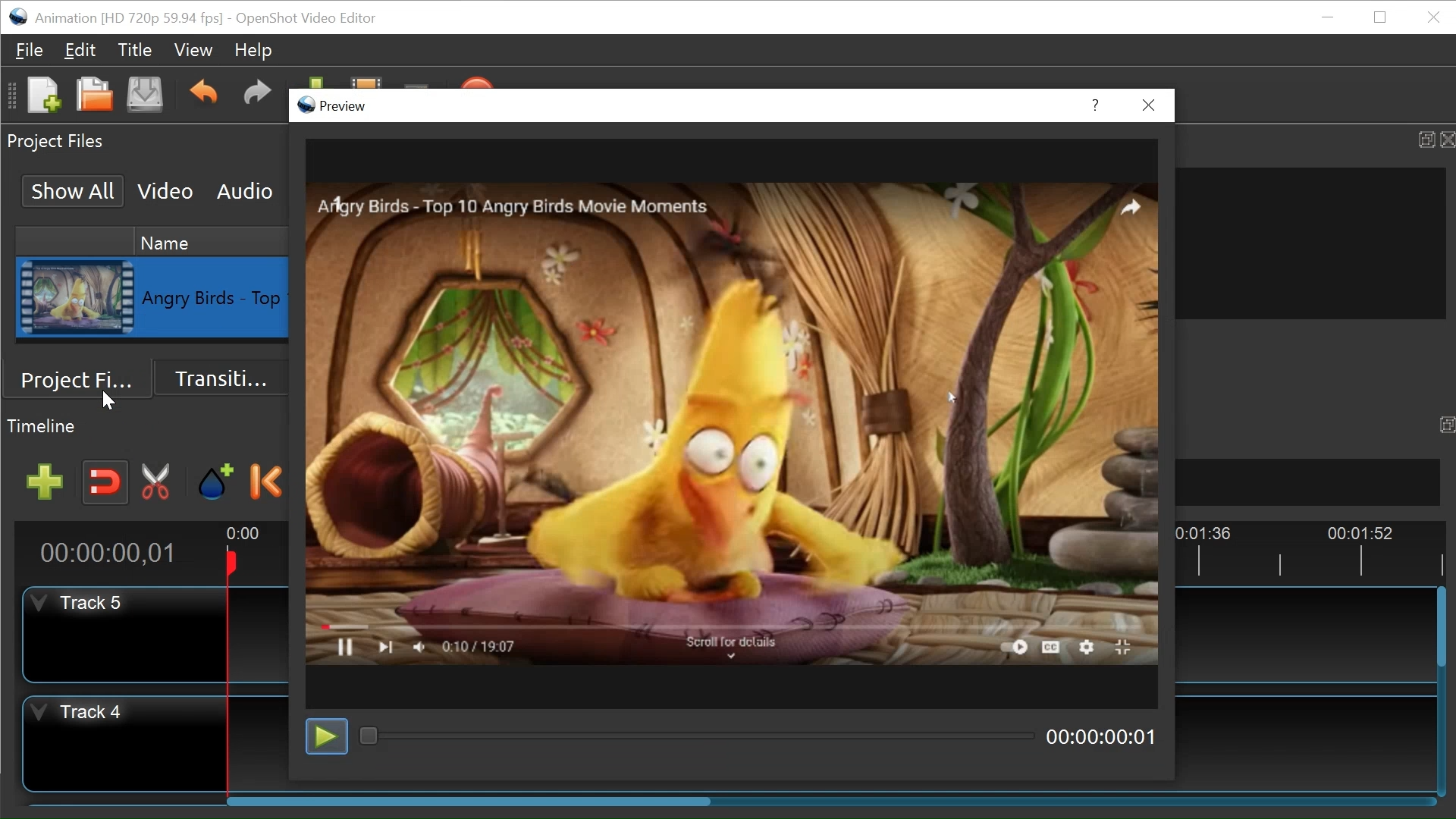 This screenshot has height=819, width=1456. What do you see at coordinates (45, 482) in the screenshot?
I see `Add Track` at bounding box center [45, 482].